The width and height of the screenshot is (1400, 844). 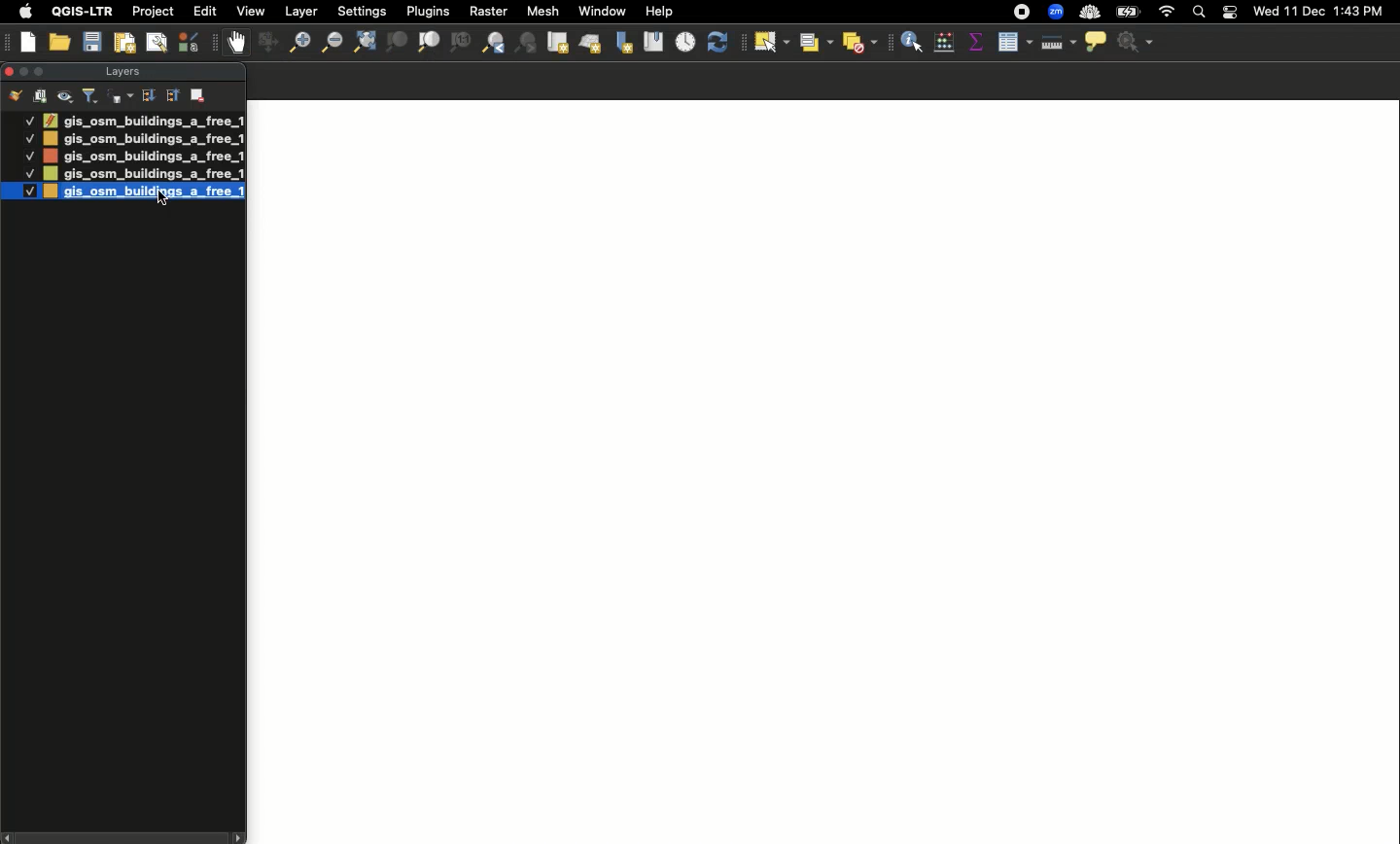 What do you see at coordinates (142, 174) in the screenshot?
I see `gis_osm_buildings_a_free_1` at bounding box center [142, 174].